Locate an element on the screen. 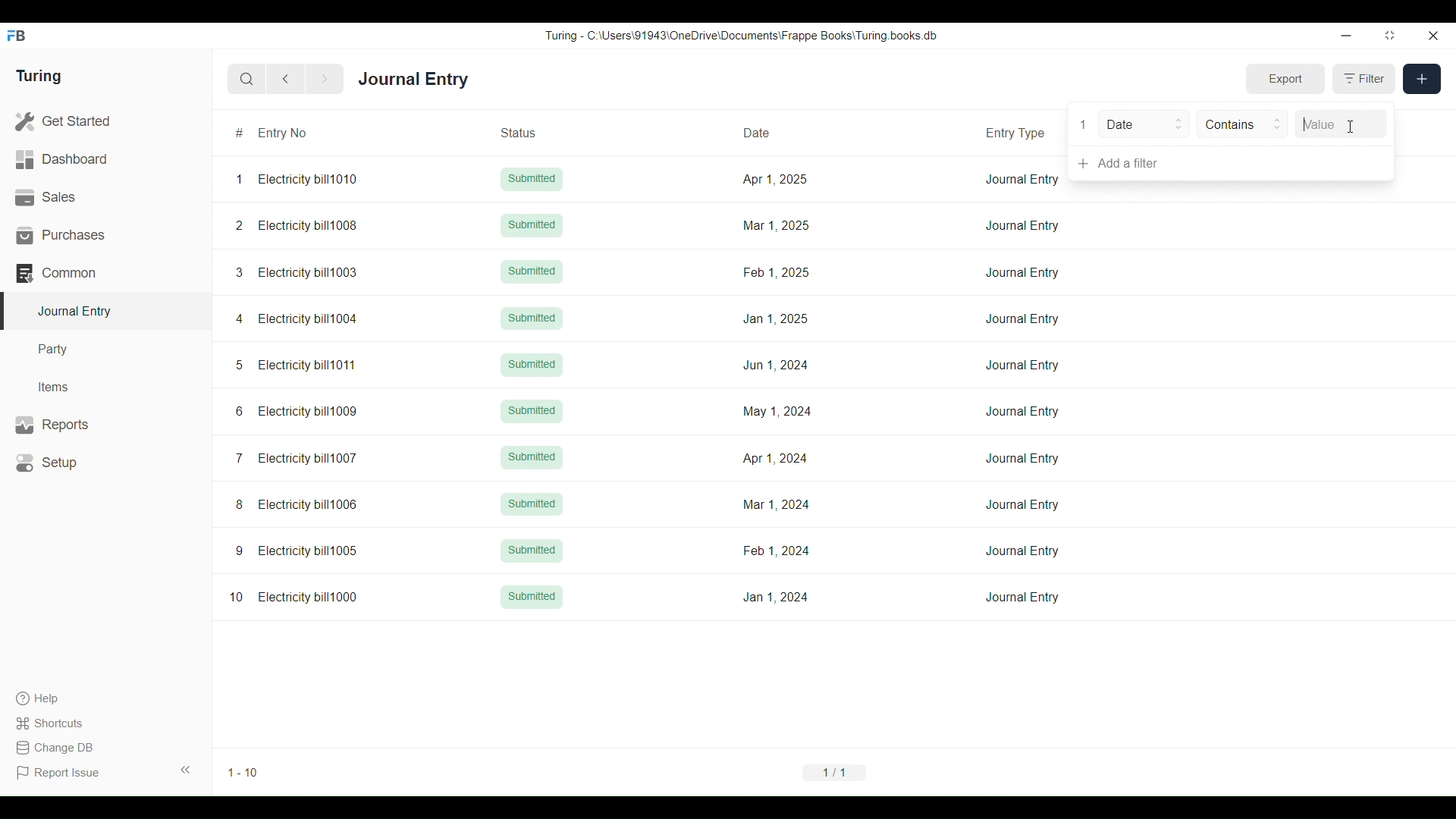  Common is located at coordinates (105, 273).